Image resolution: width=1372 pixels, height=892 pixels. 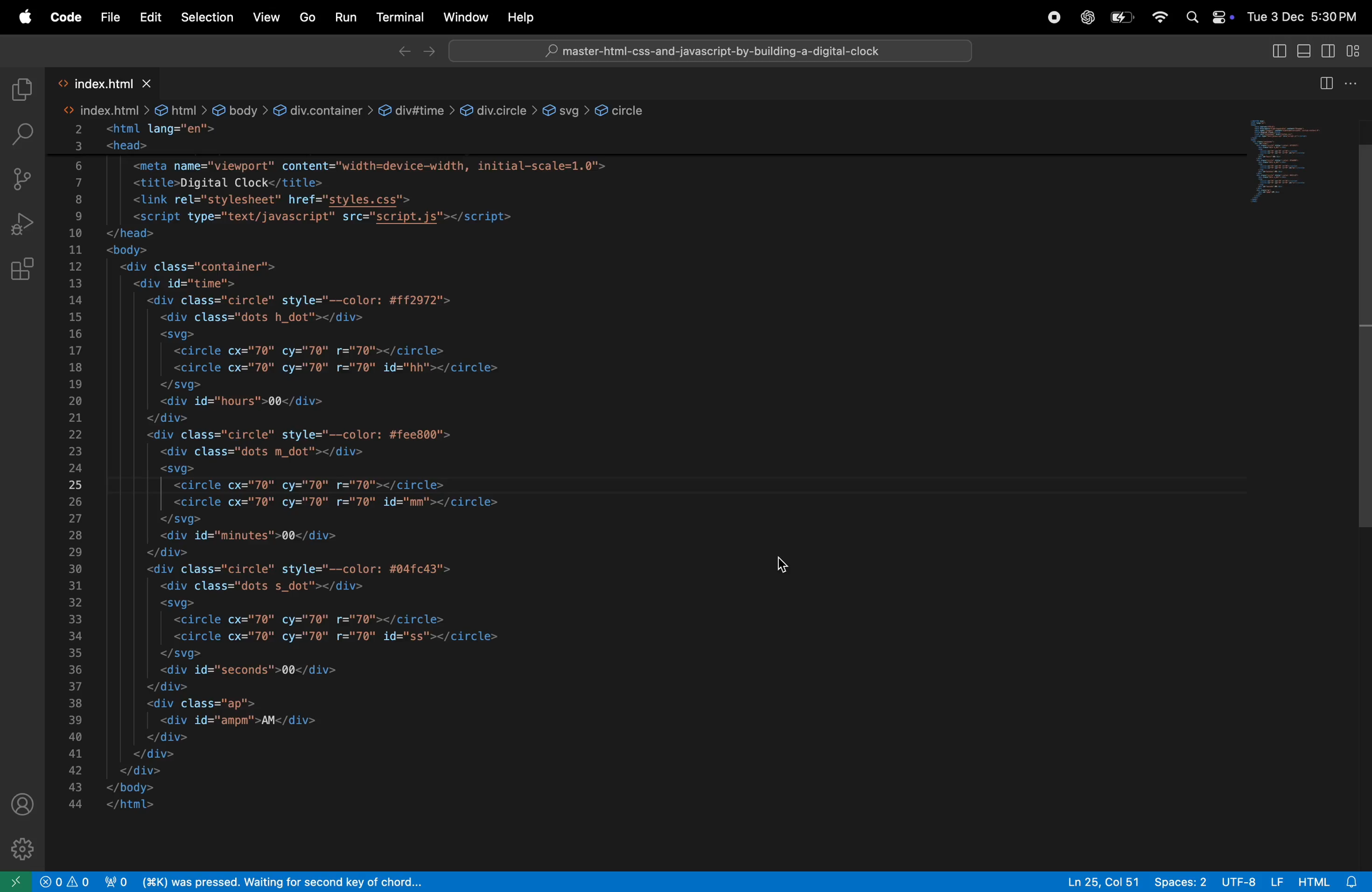 I want to click on extenstions, so click(x=22, y=275).